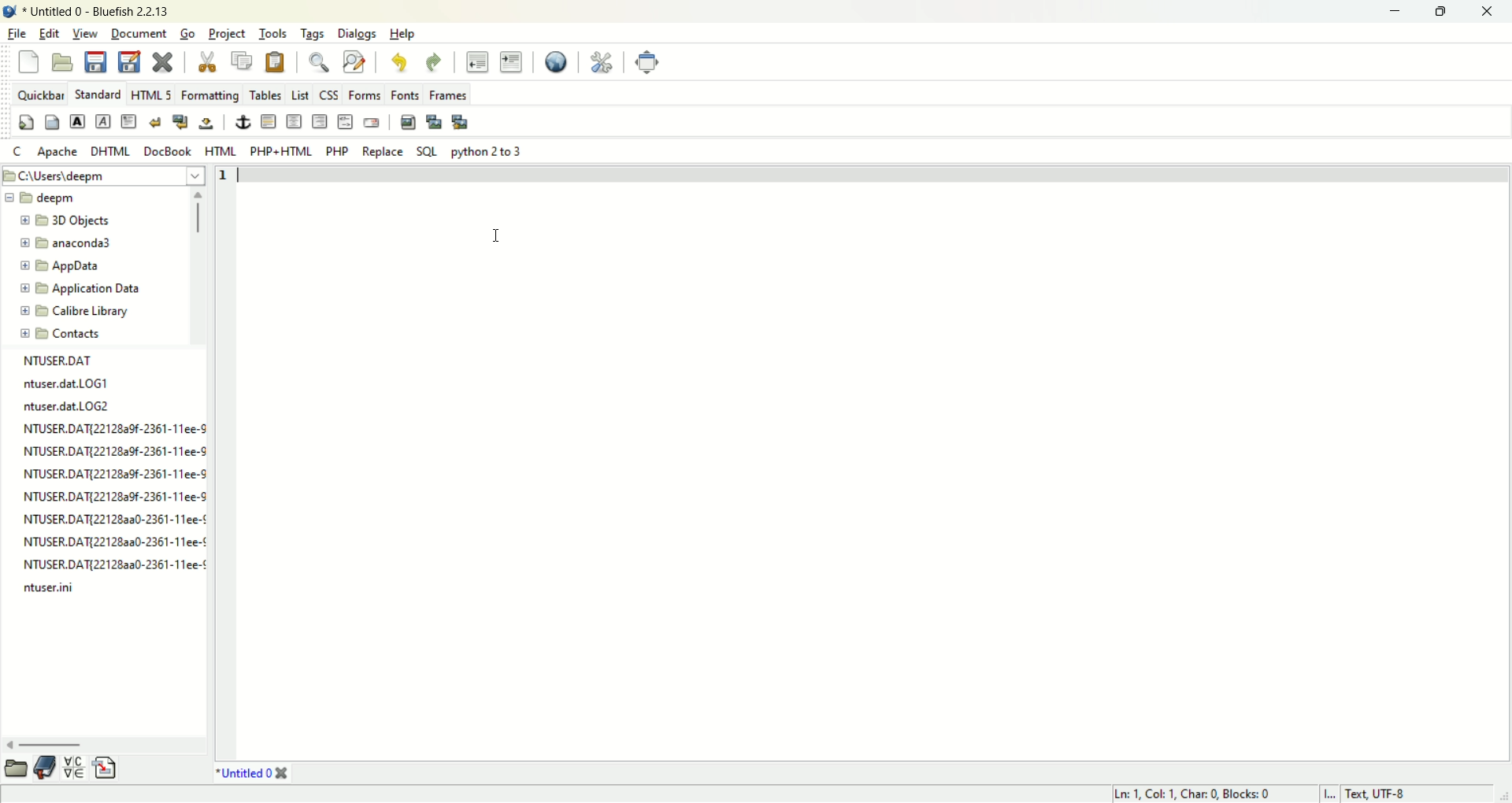  Describe the element at coordinates (276, 62) in the screenshot. I see `paste` at that location.